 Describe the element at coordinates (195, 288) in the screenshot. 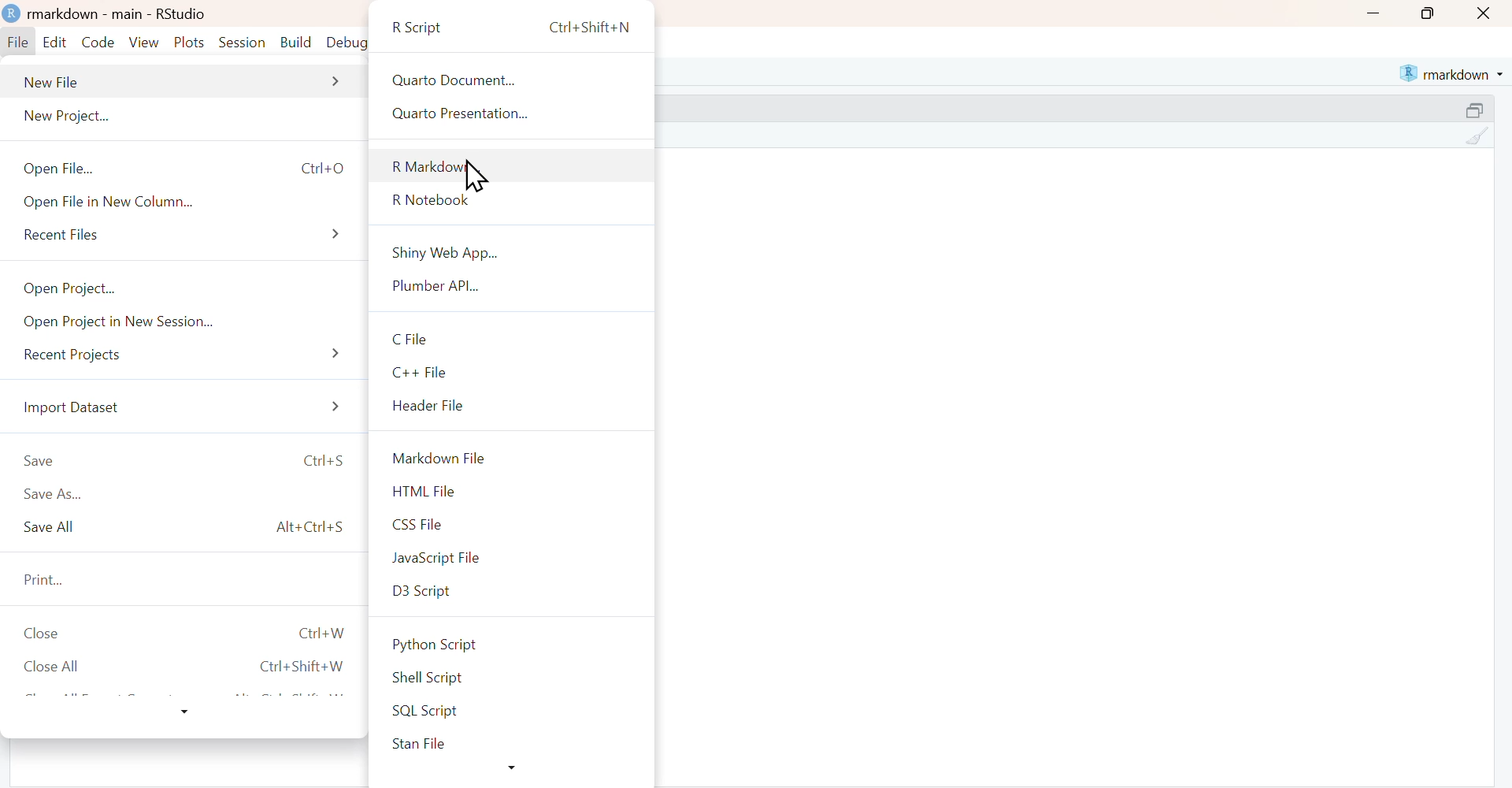

I see `Open project` at that location.